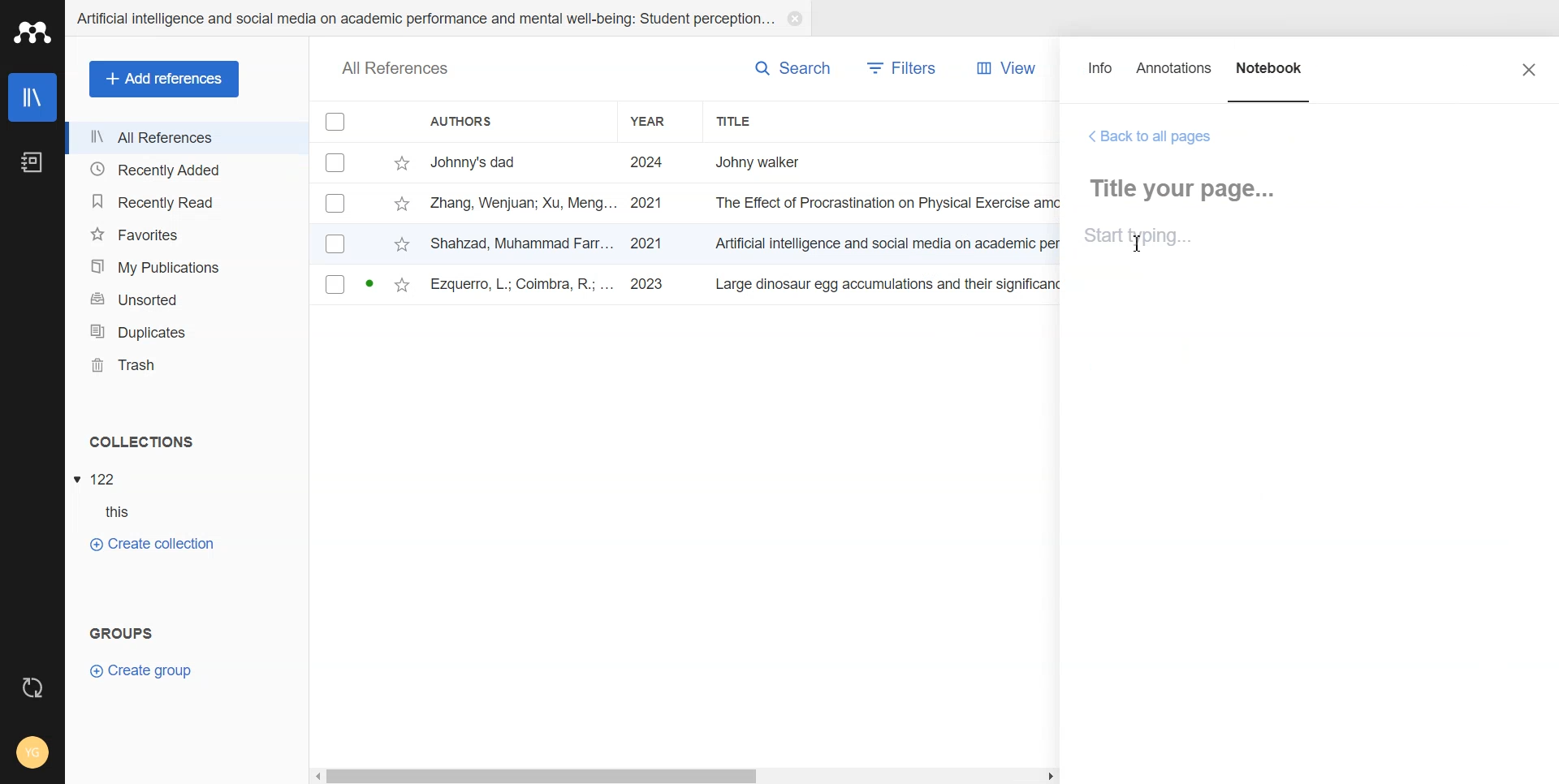  I want to click on Year, so click(661, 121).